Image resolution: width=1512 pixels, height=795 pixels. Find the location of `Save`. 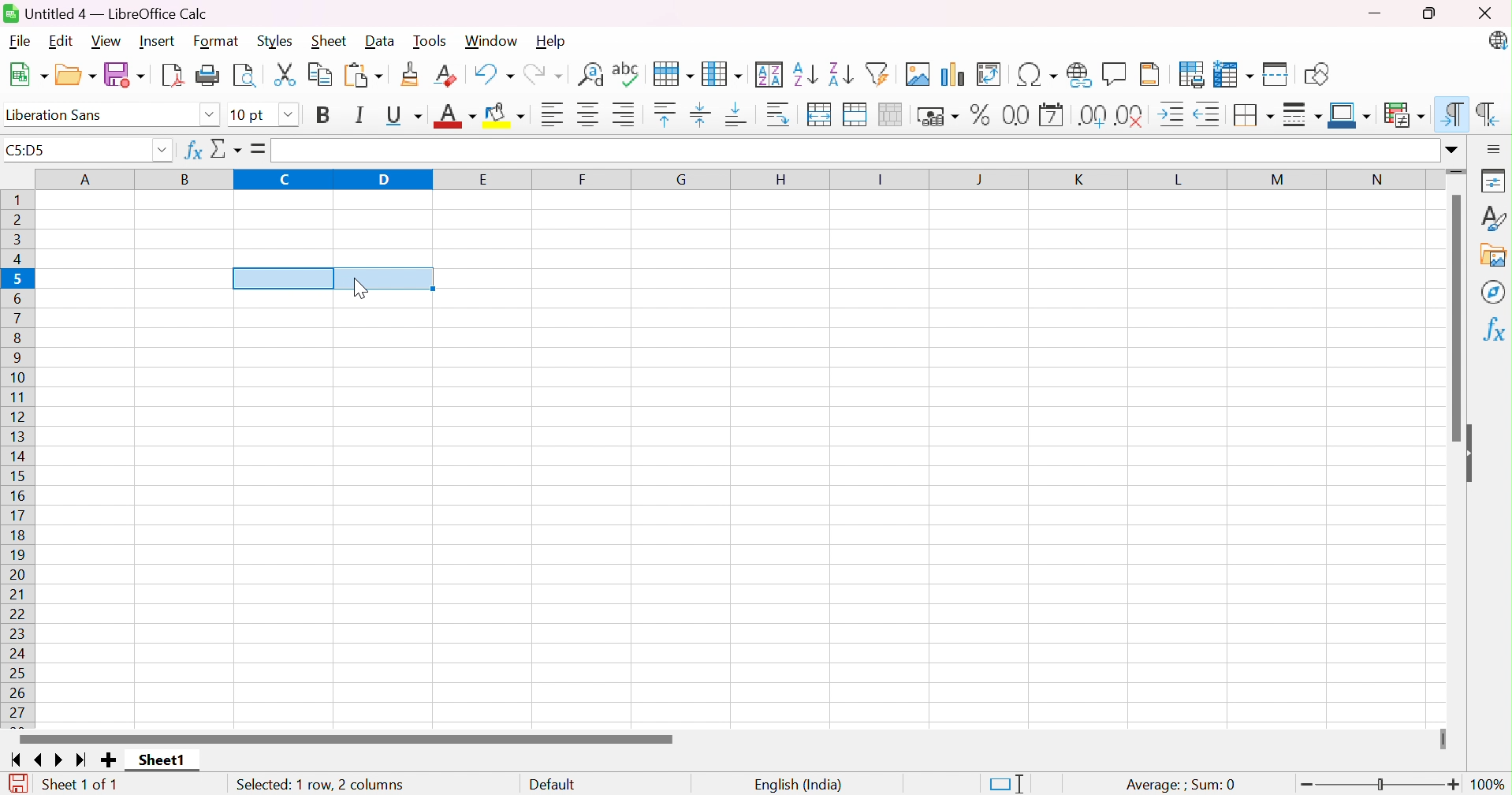

Save is located at coordinates (125, 74).